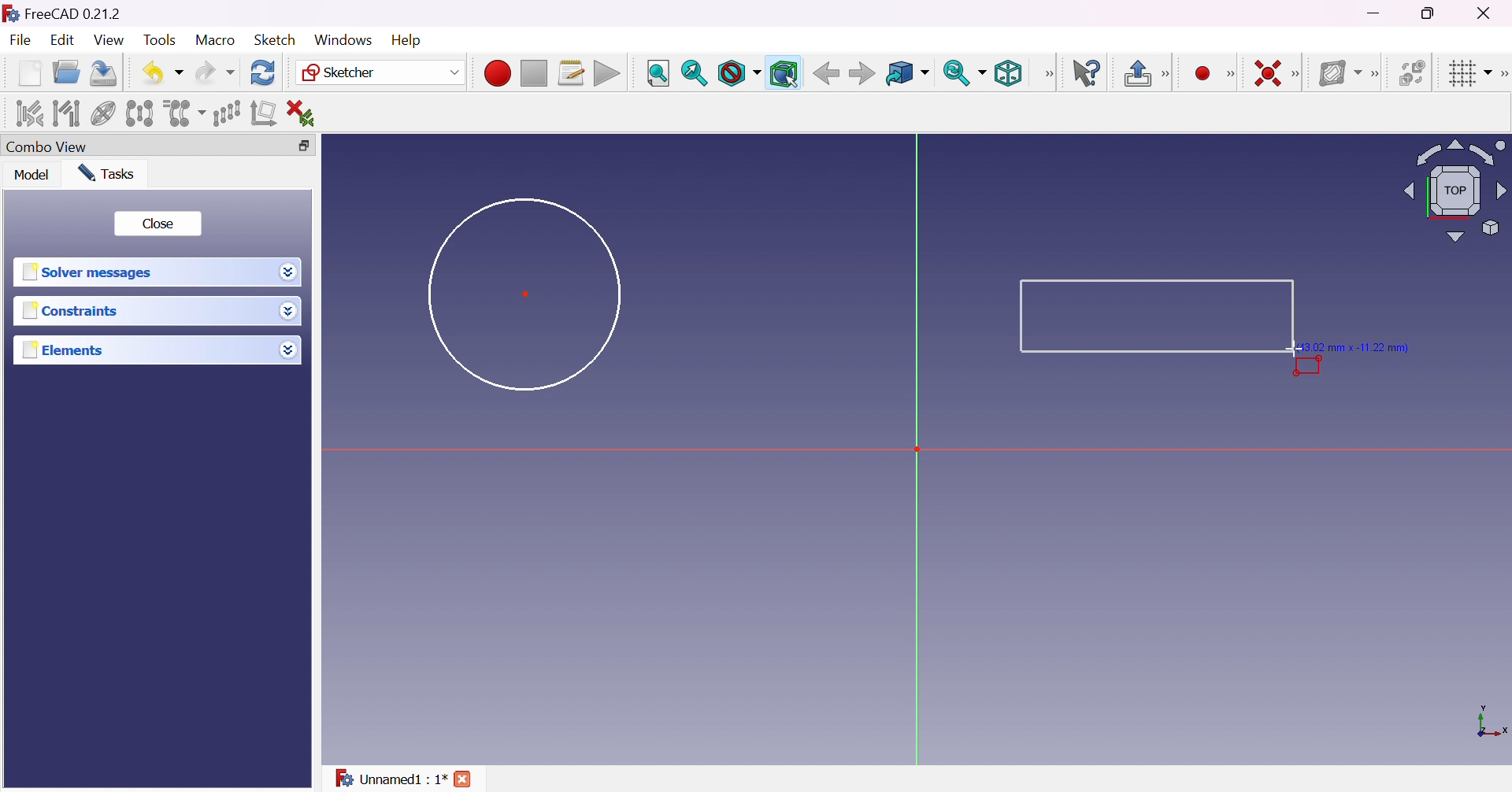  I want to click on Windows, so click(342, 39).